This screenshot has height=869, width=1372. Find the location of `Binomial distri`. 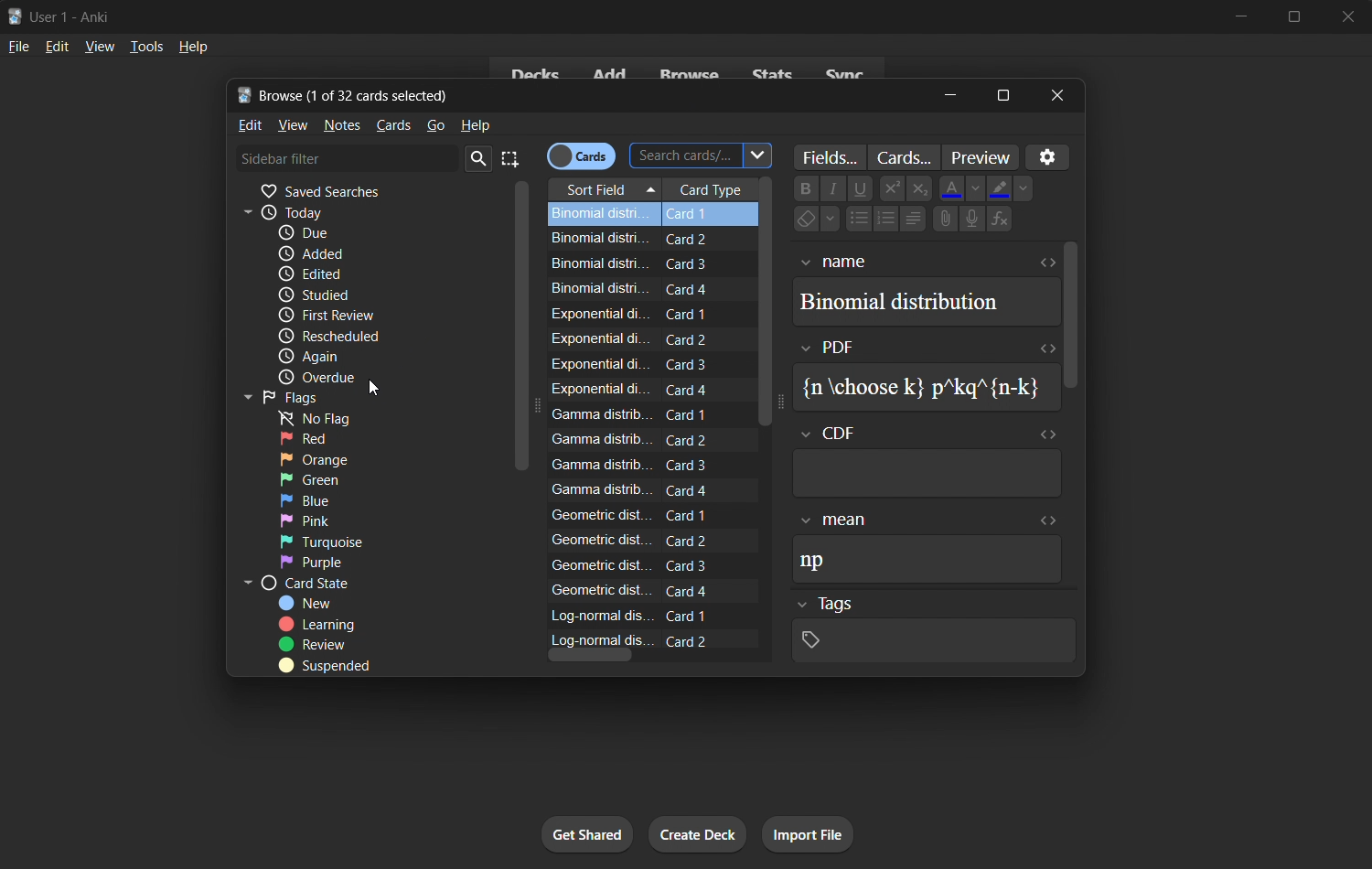

Binomial distri is located at coordinates (599, 265).